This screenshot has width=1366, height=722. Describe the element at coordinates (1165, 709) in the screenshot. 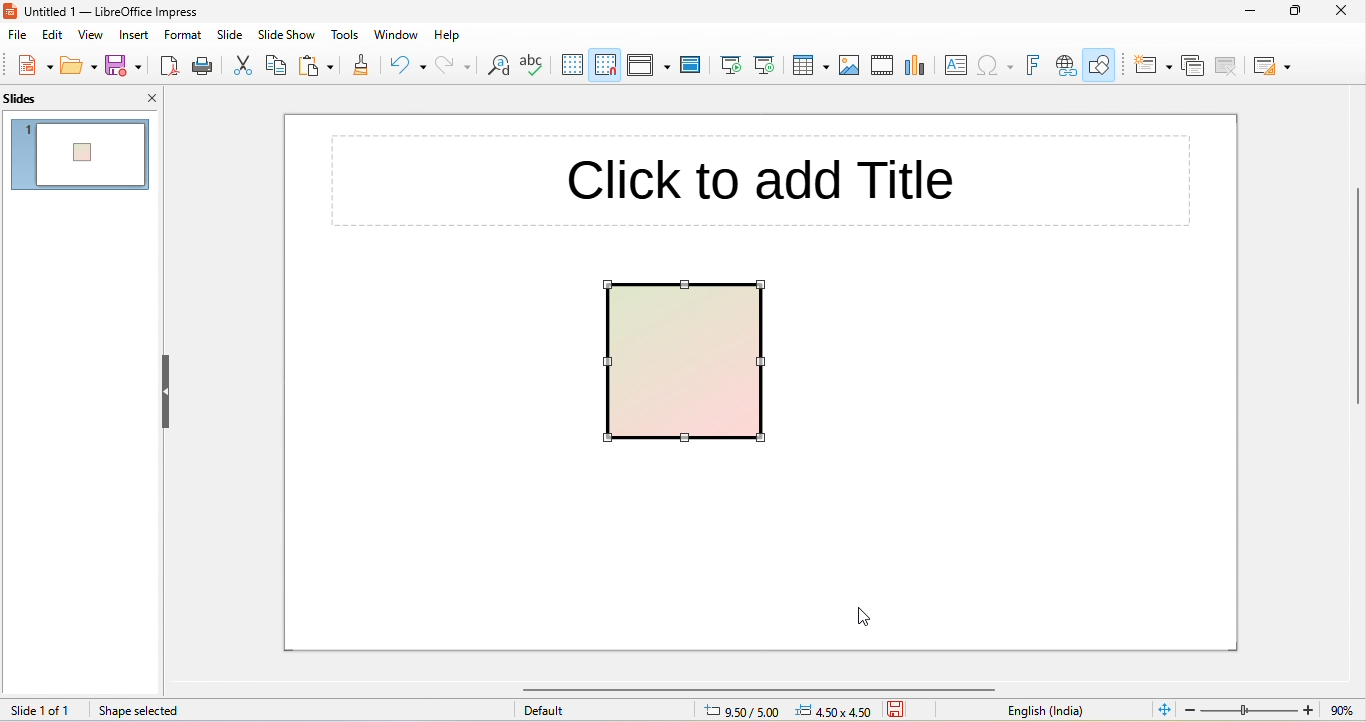

I see `fit to current window` at that location.